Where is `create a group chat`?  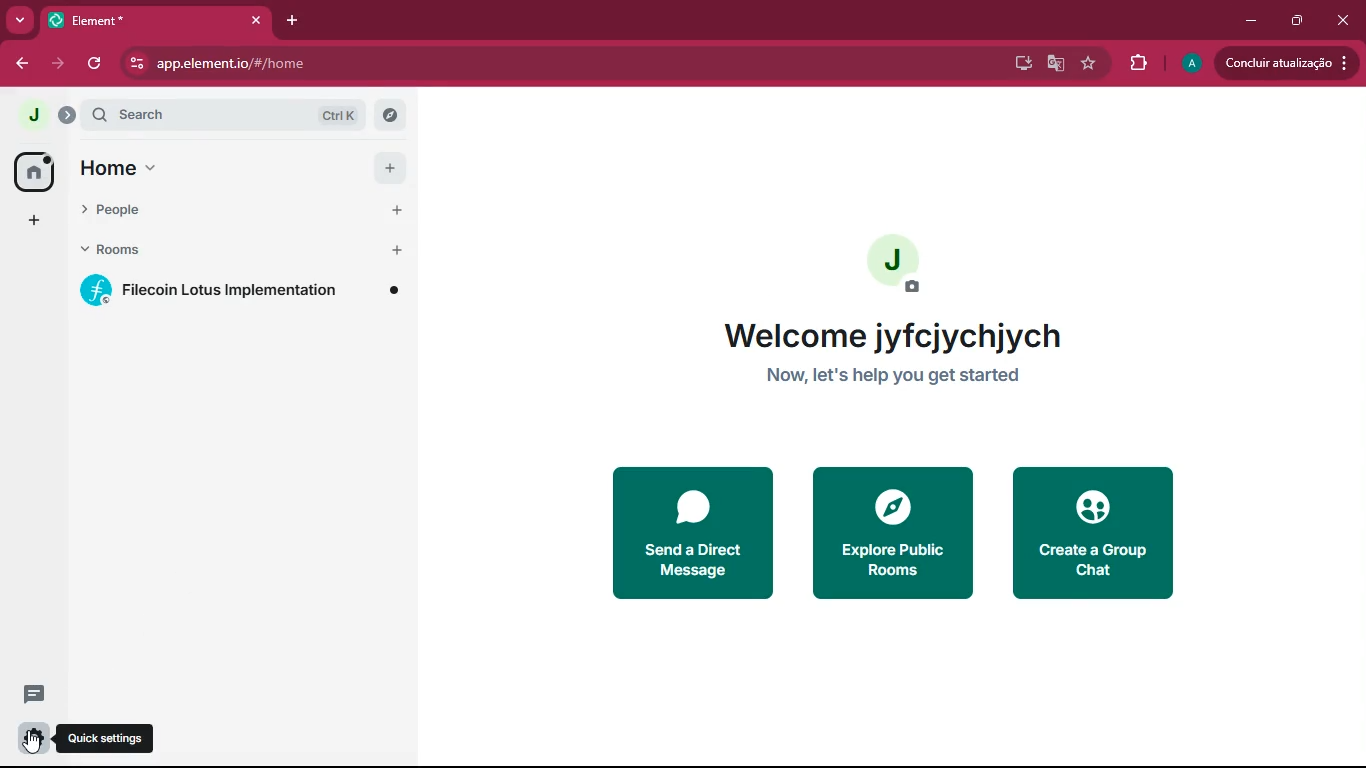
create a group chat is located at coordinates (1100, 533).